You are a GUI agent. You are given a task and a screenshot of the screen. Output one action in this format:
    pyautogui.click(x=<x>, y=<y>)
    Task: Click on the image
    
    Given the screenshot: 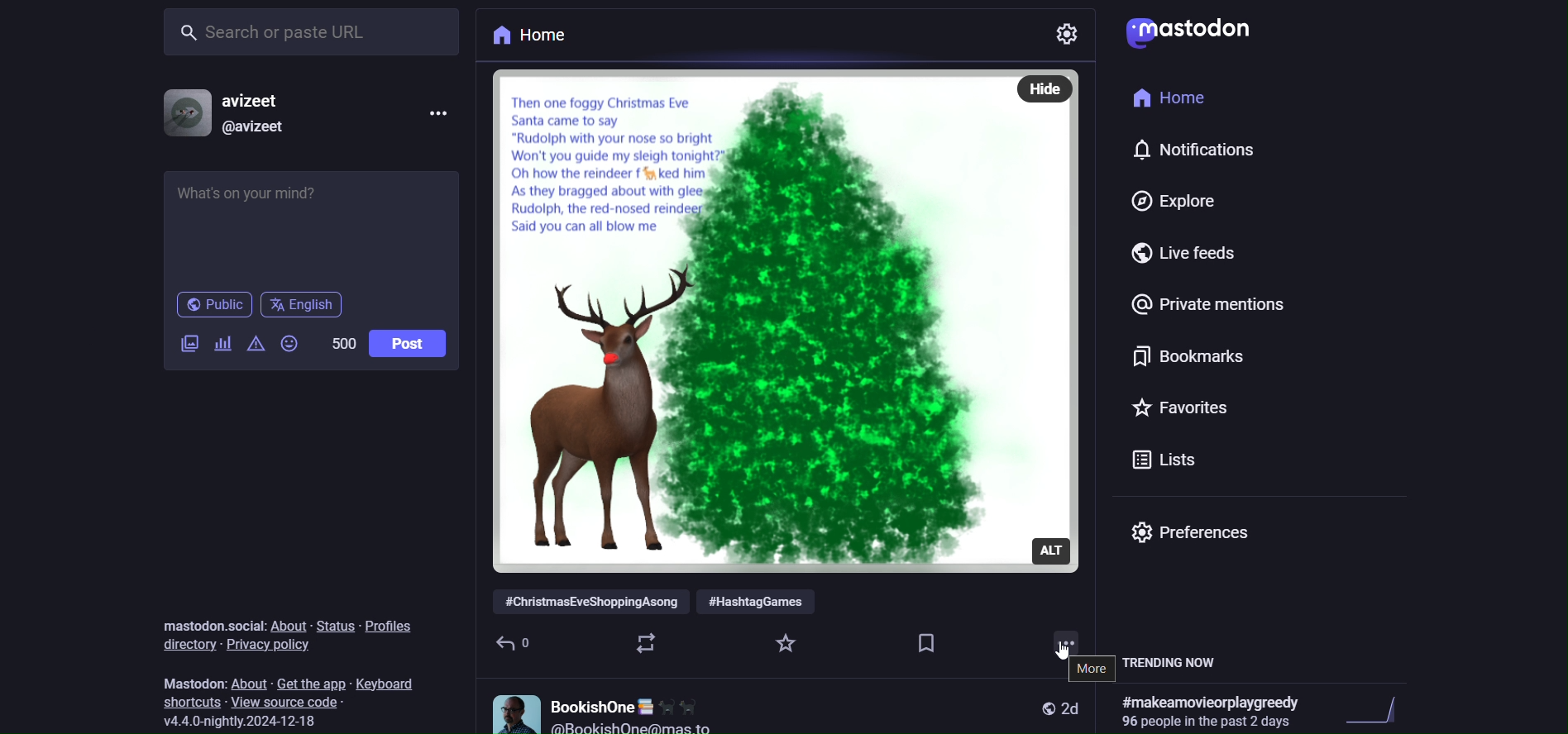 What is the action you would take?
    pyautogui.click(x=759, y=320)
    